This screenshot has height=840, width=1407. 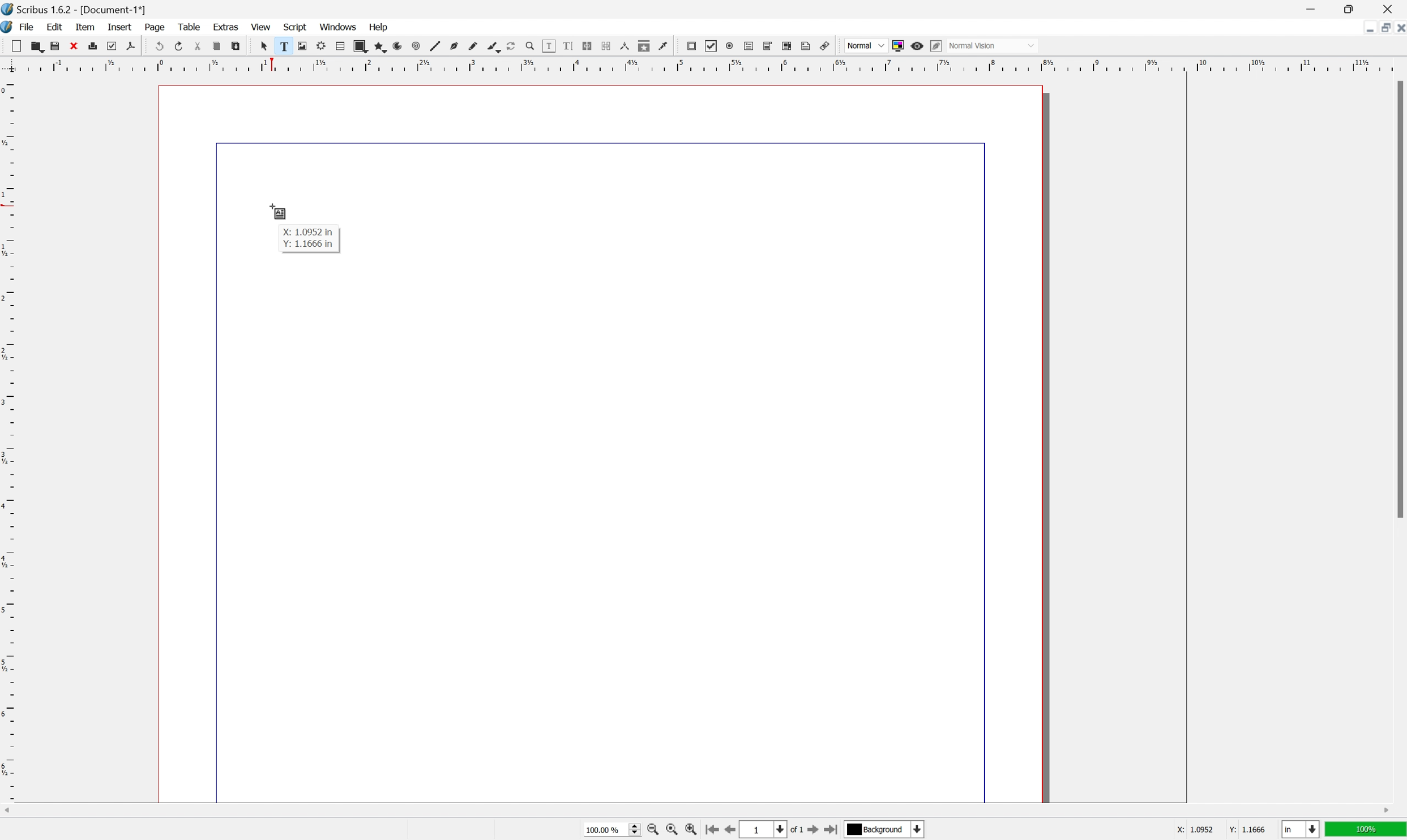 What do you see at coordinates (455, 46) in the screenshot?
I see `bezier curve` at bounding box center [455, 46].